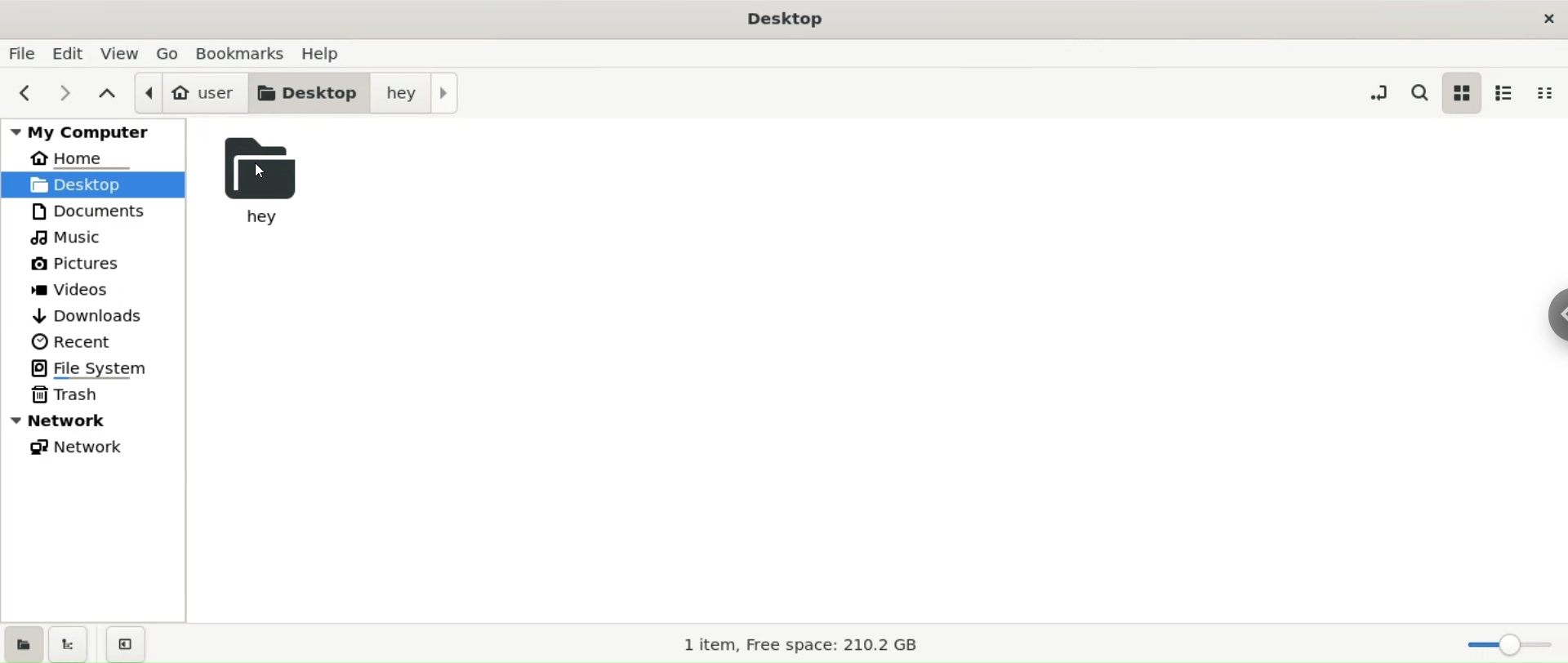  What do you see at coordinates (67, 644) in the screenshot?
I see `show treeview` at bounding box center [67, 644].